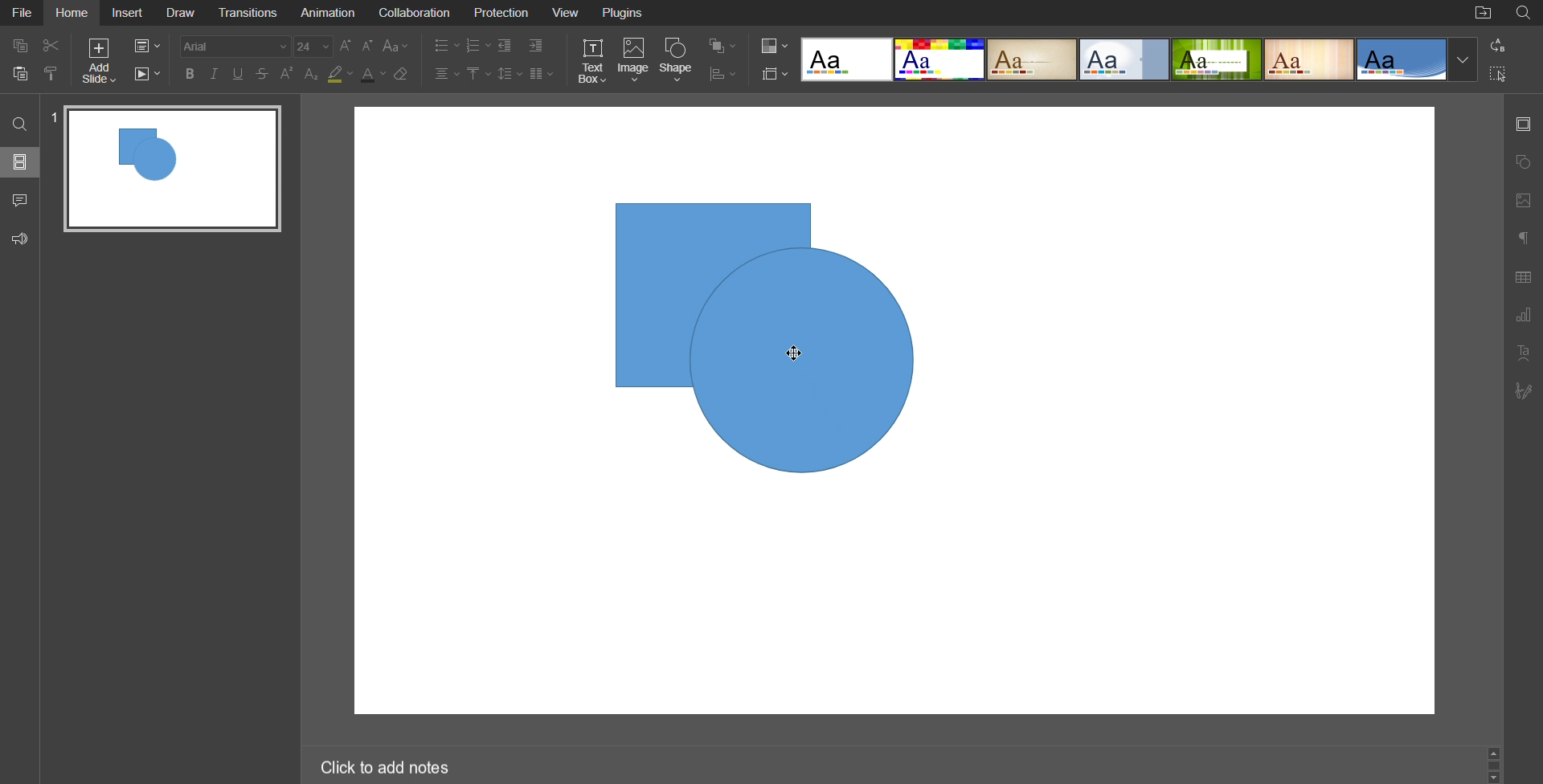 The width and height of the screenshot is (1543, 784). I want to click on Slide 1, so click(170, 166).